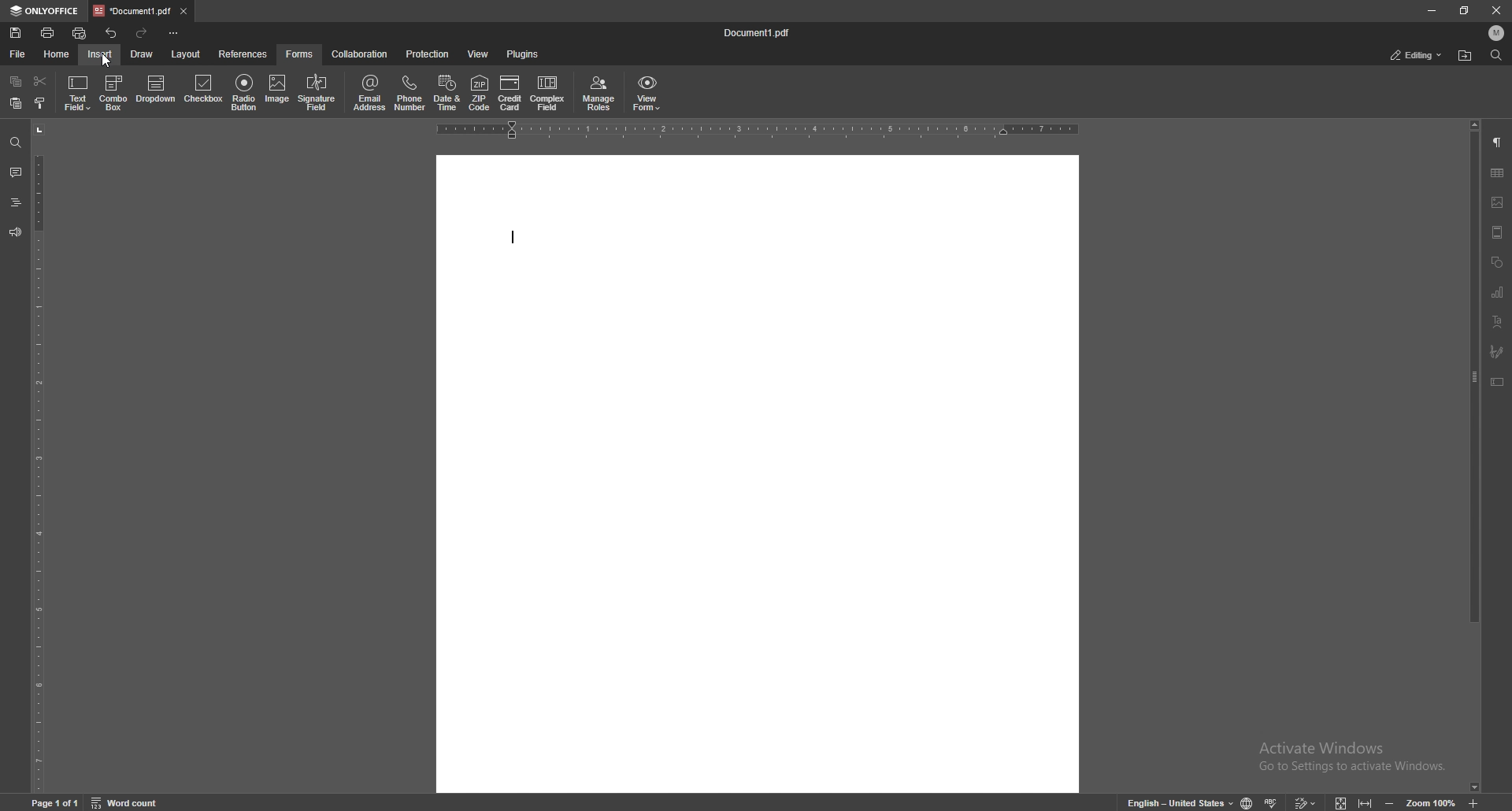 The image size is (1512, 811). I want to click on save, so click(16, 33).